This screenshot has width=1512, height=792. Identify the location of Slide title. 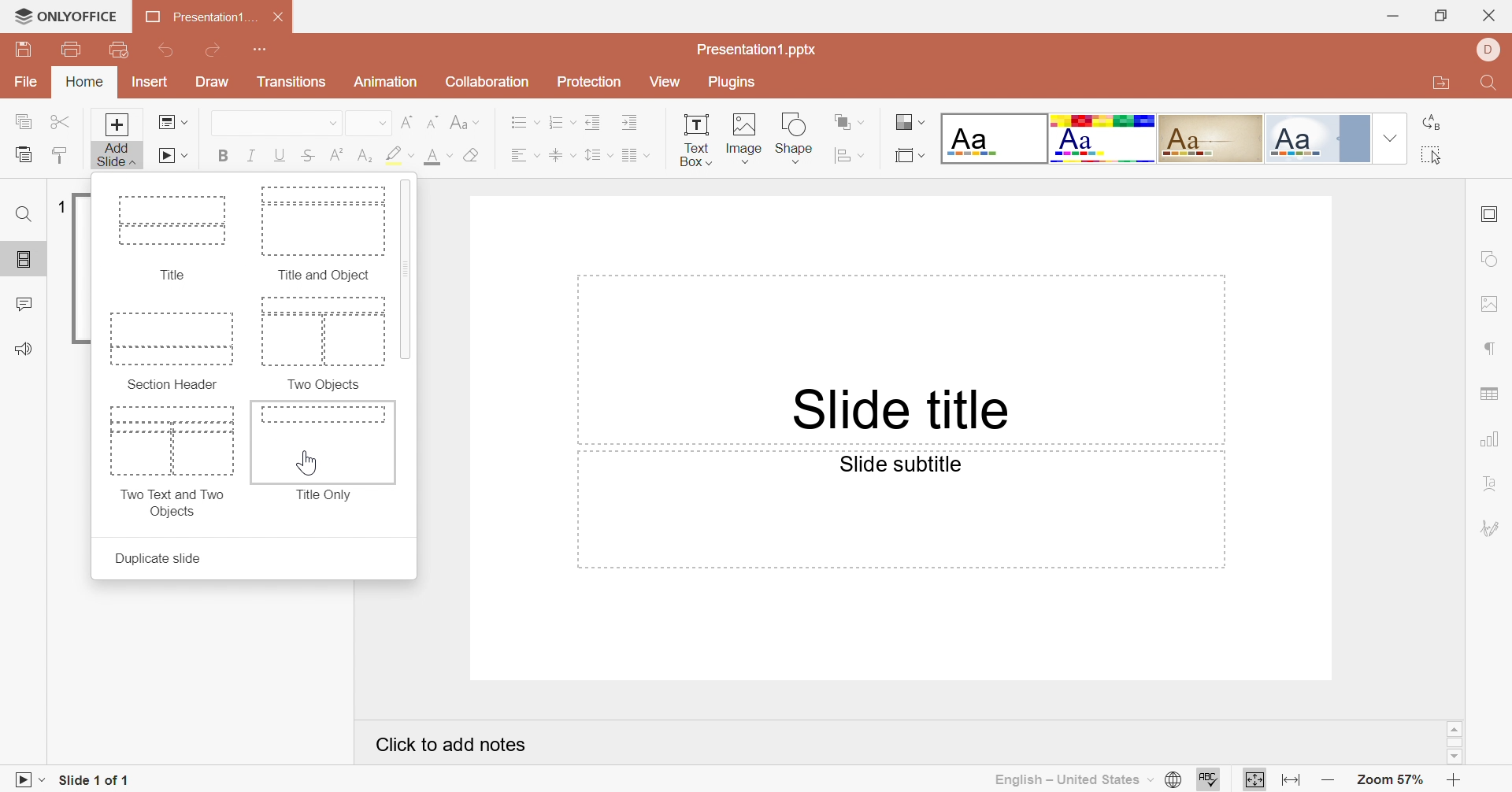
(897, 410).